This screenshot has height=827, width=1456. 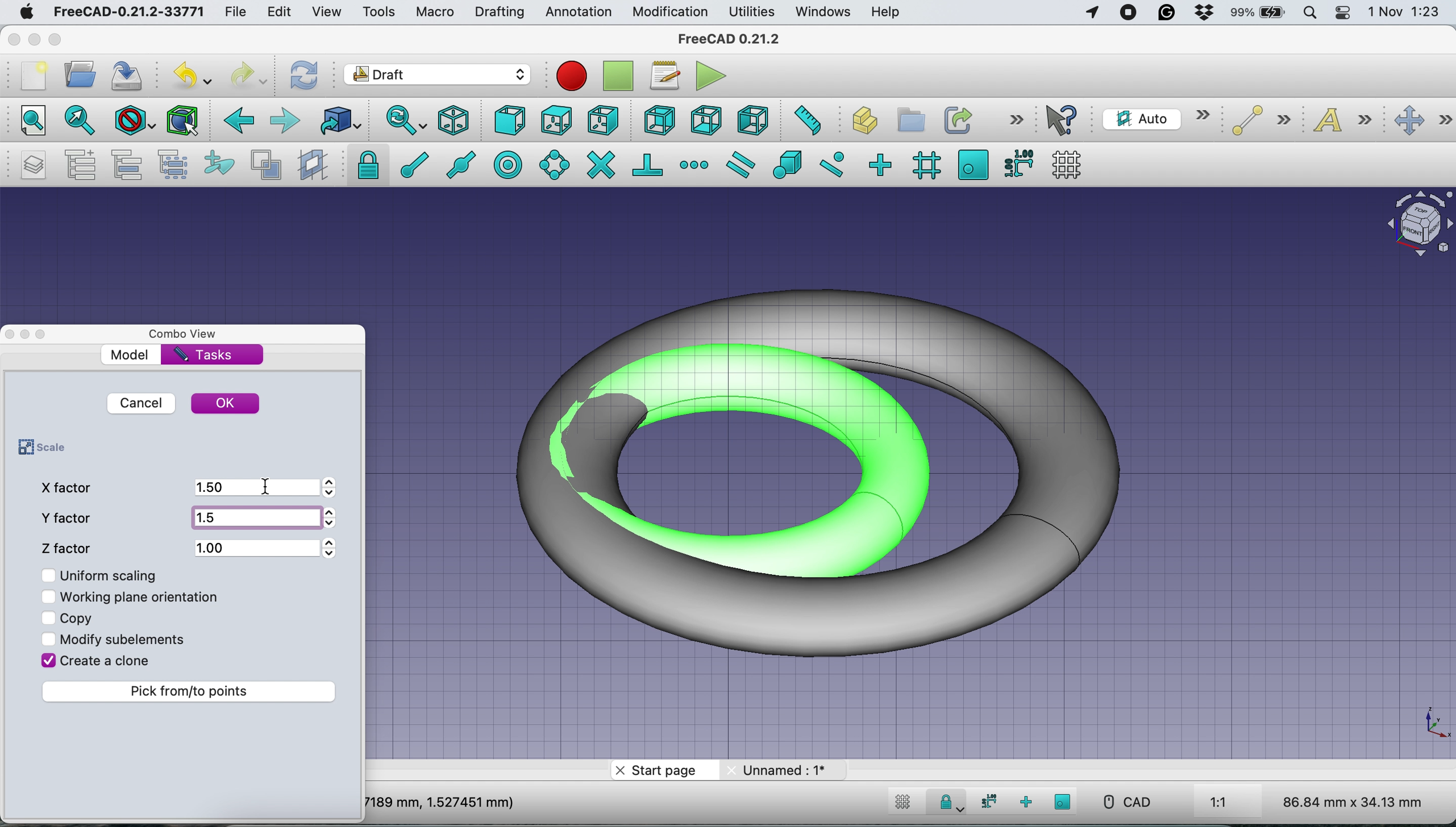 I want to click on z factor, so click(x=70, y=545).